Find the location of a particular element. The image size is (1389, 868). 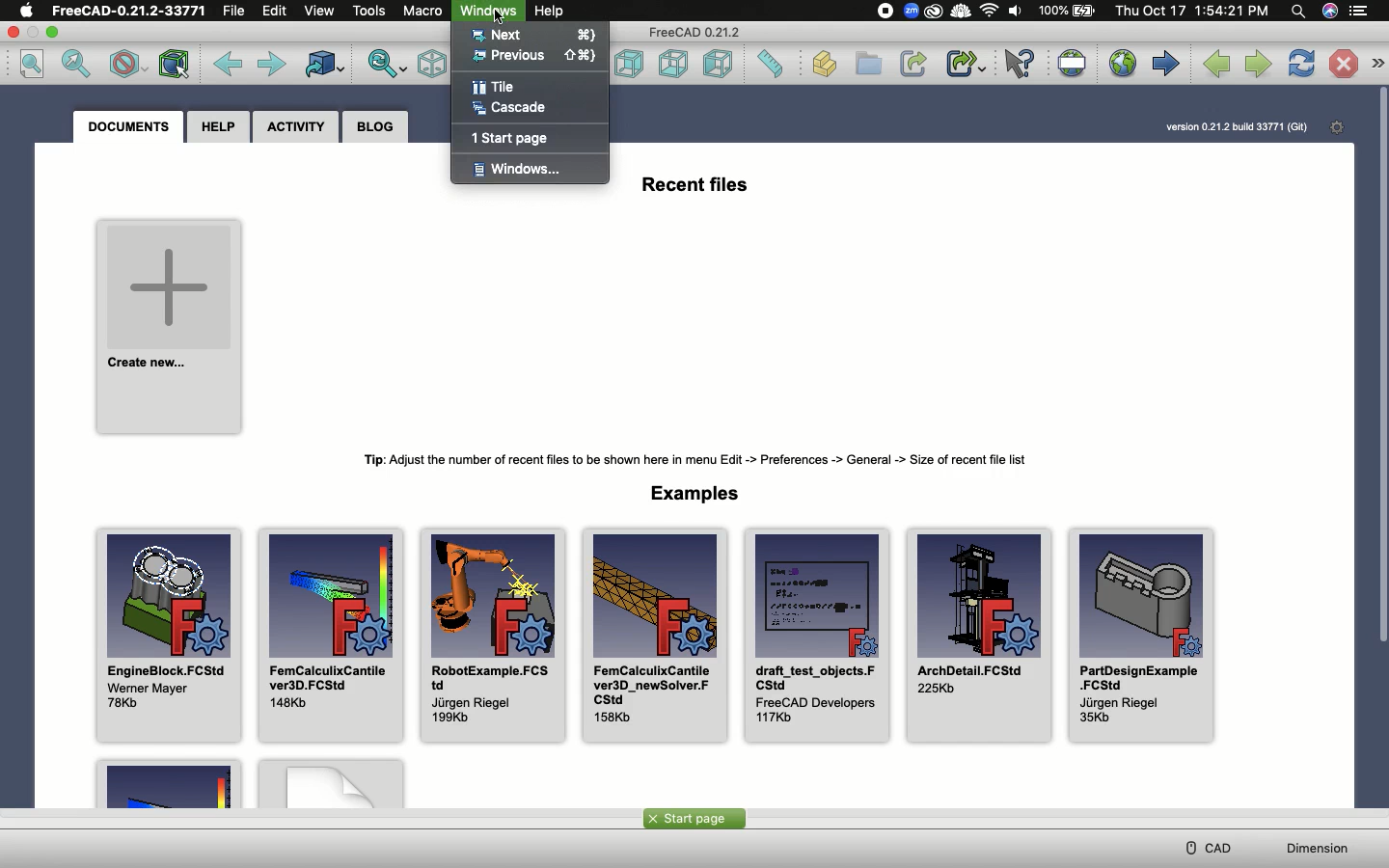

Next is located at coordinates (535, 36).